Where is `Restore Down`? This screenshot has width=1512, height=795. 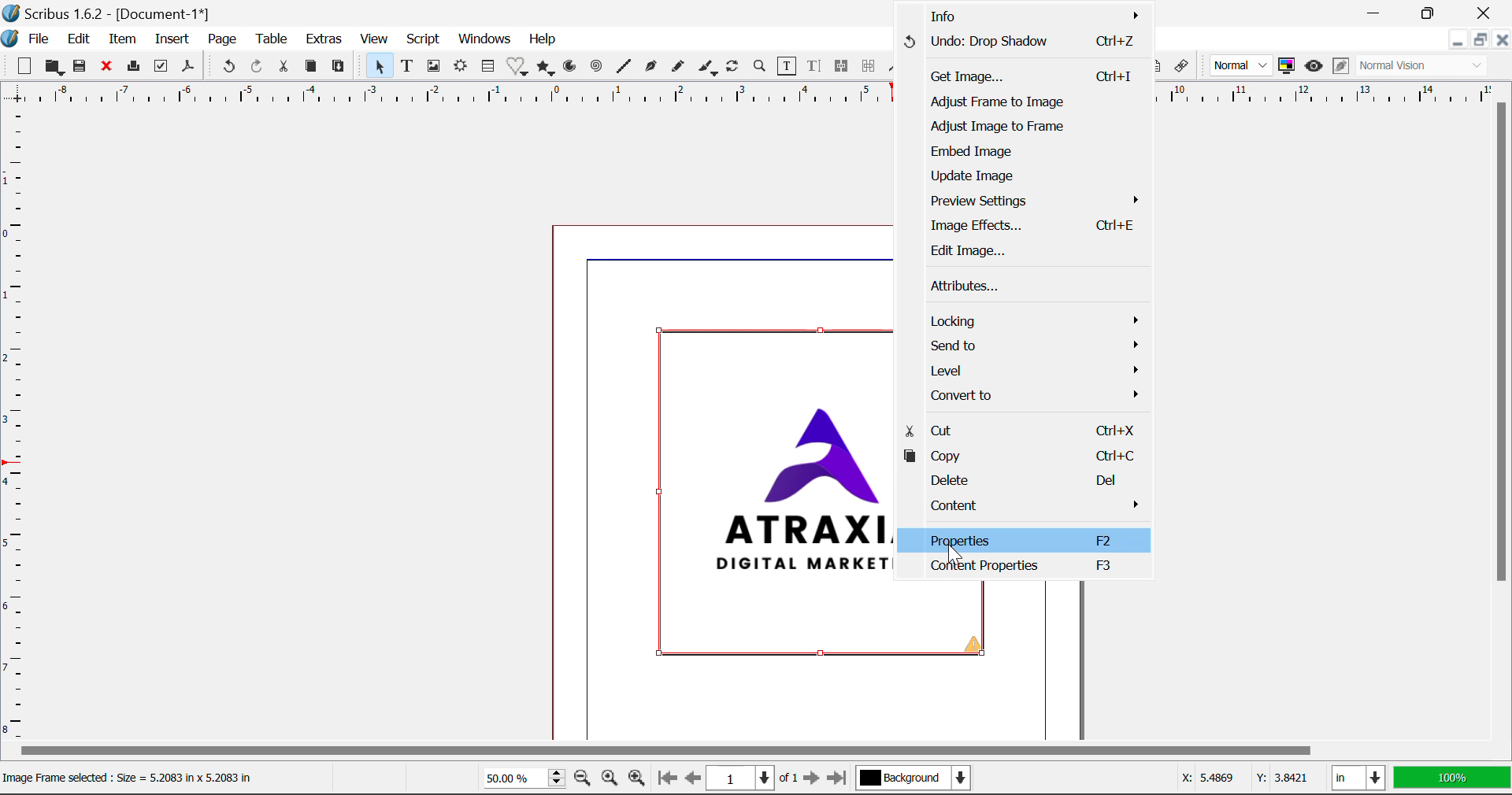
Restore Down is located at coordinates (1380, 11).